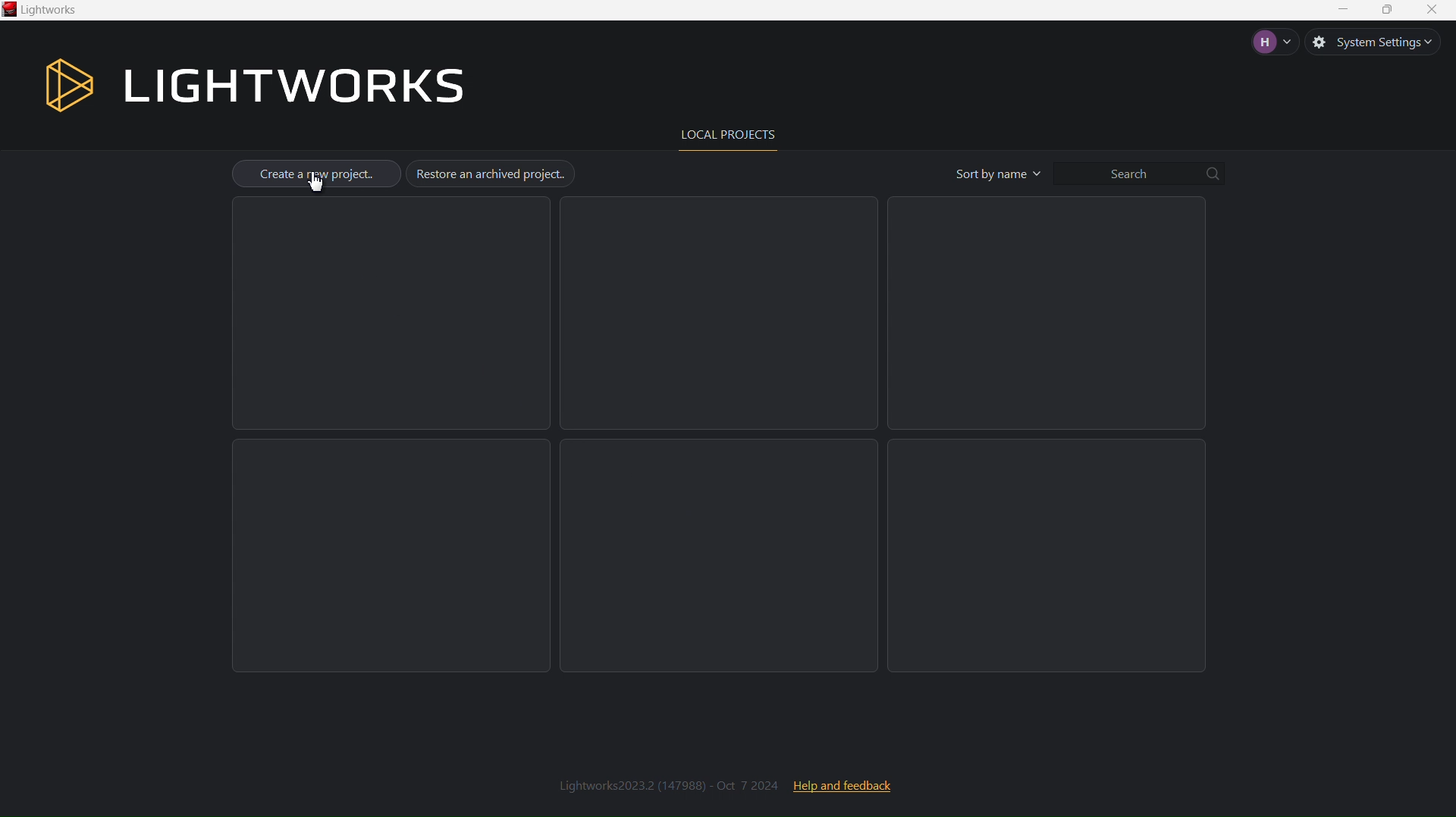  Describe the element at coordinates (1385, 11) in the screenshot. I see `Maximize` at that location.